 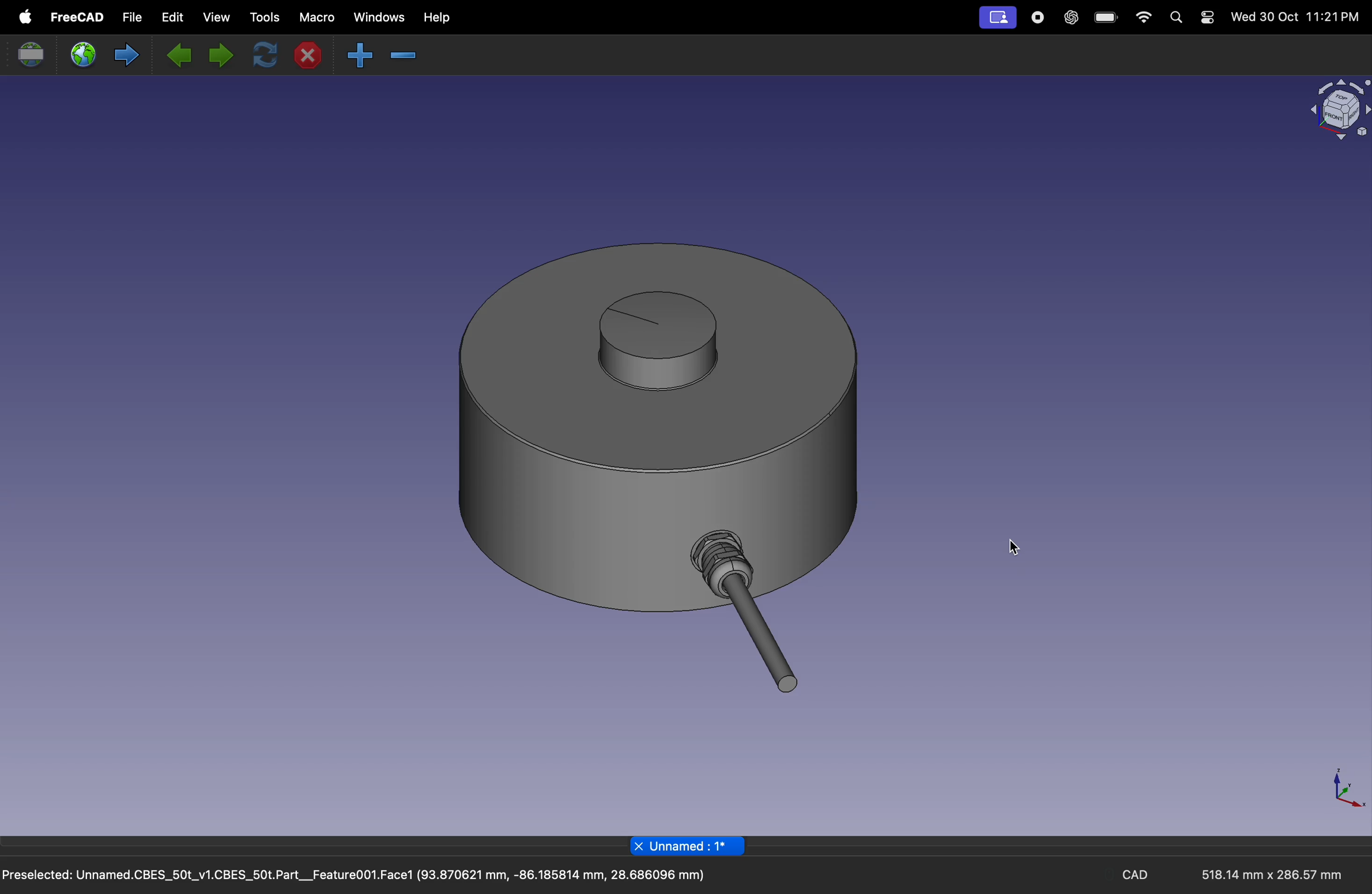 I want to click on close, so click(x=313, y=55).